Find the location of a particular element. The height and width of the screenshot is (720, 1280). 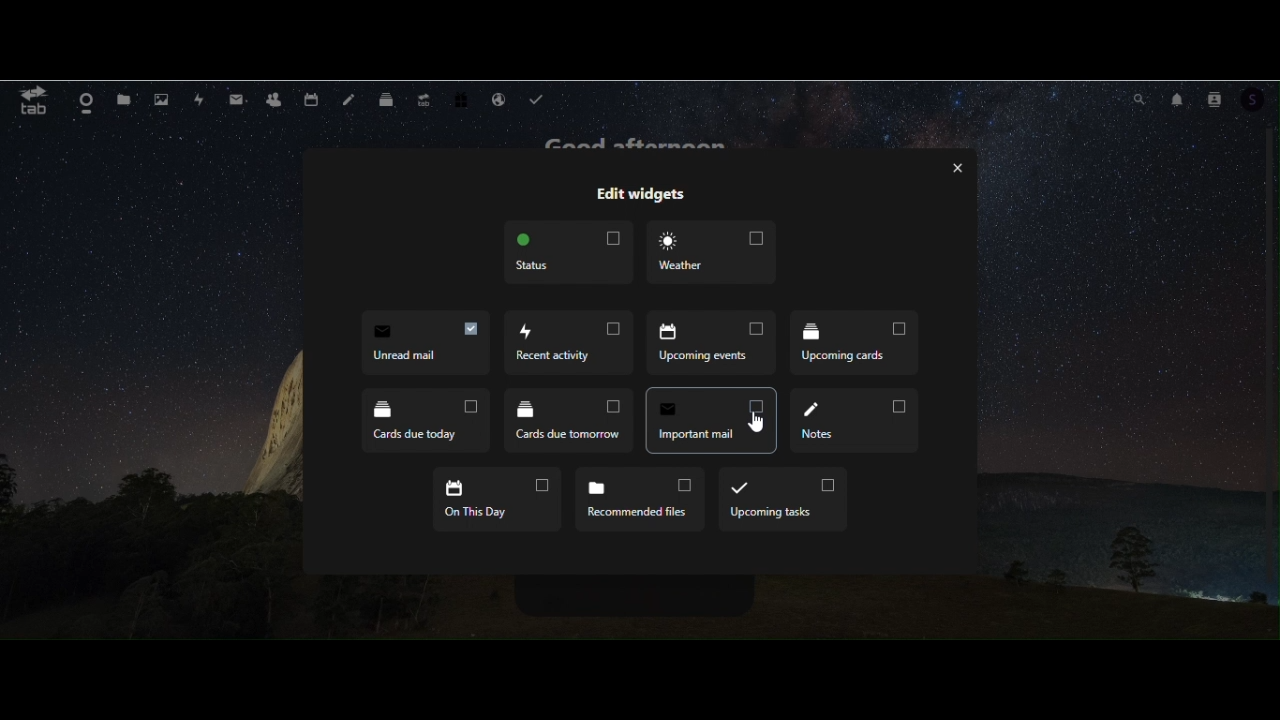

Files is located at coordinates (126, 99).